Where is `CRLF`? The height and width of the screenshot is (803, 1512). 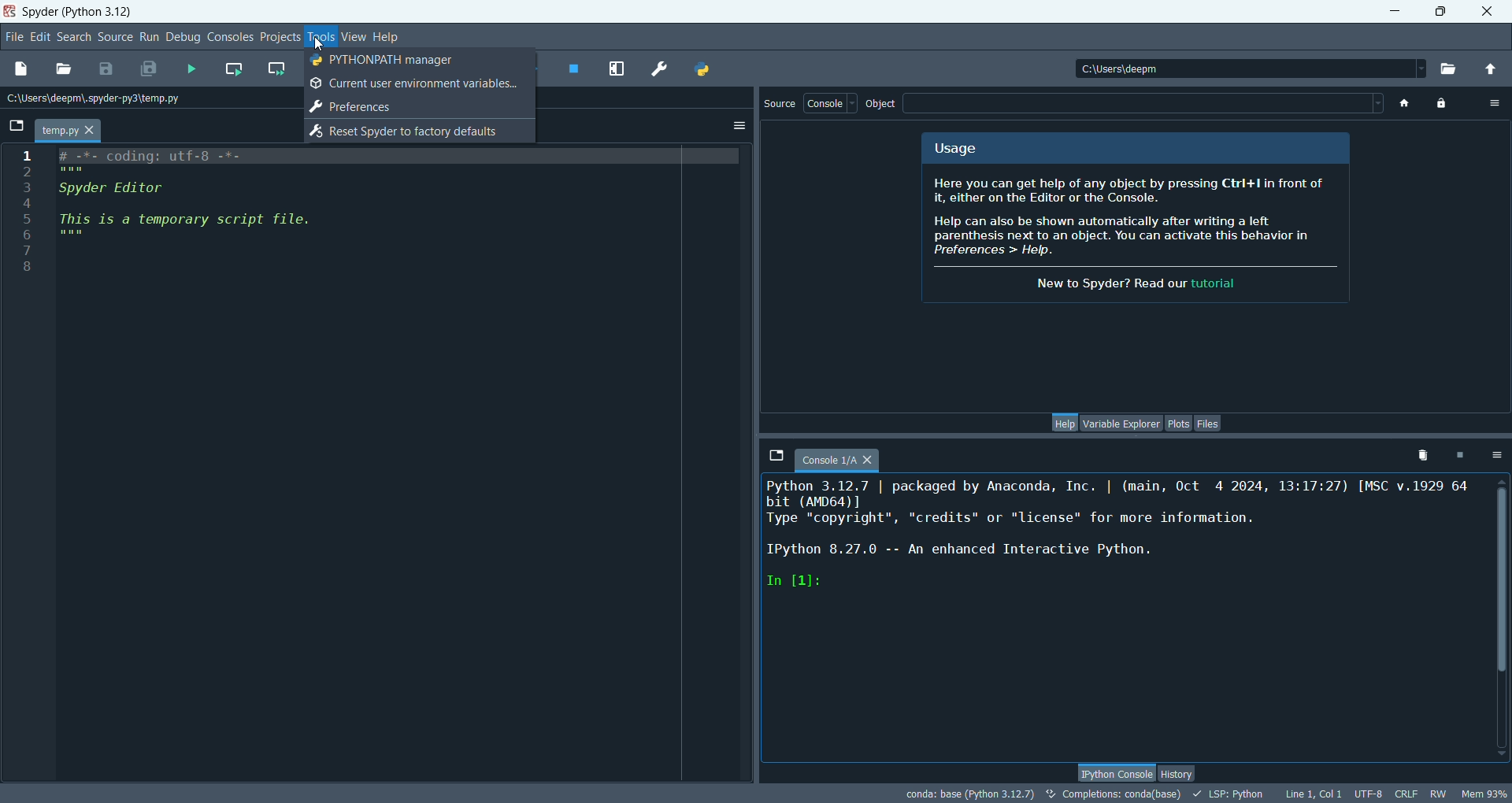 CRLF is located at coordinates (1410, 794).